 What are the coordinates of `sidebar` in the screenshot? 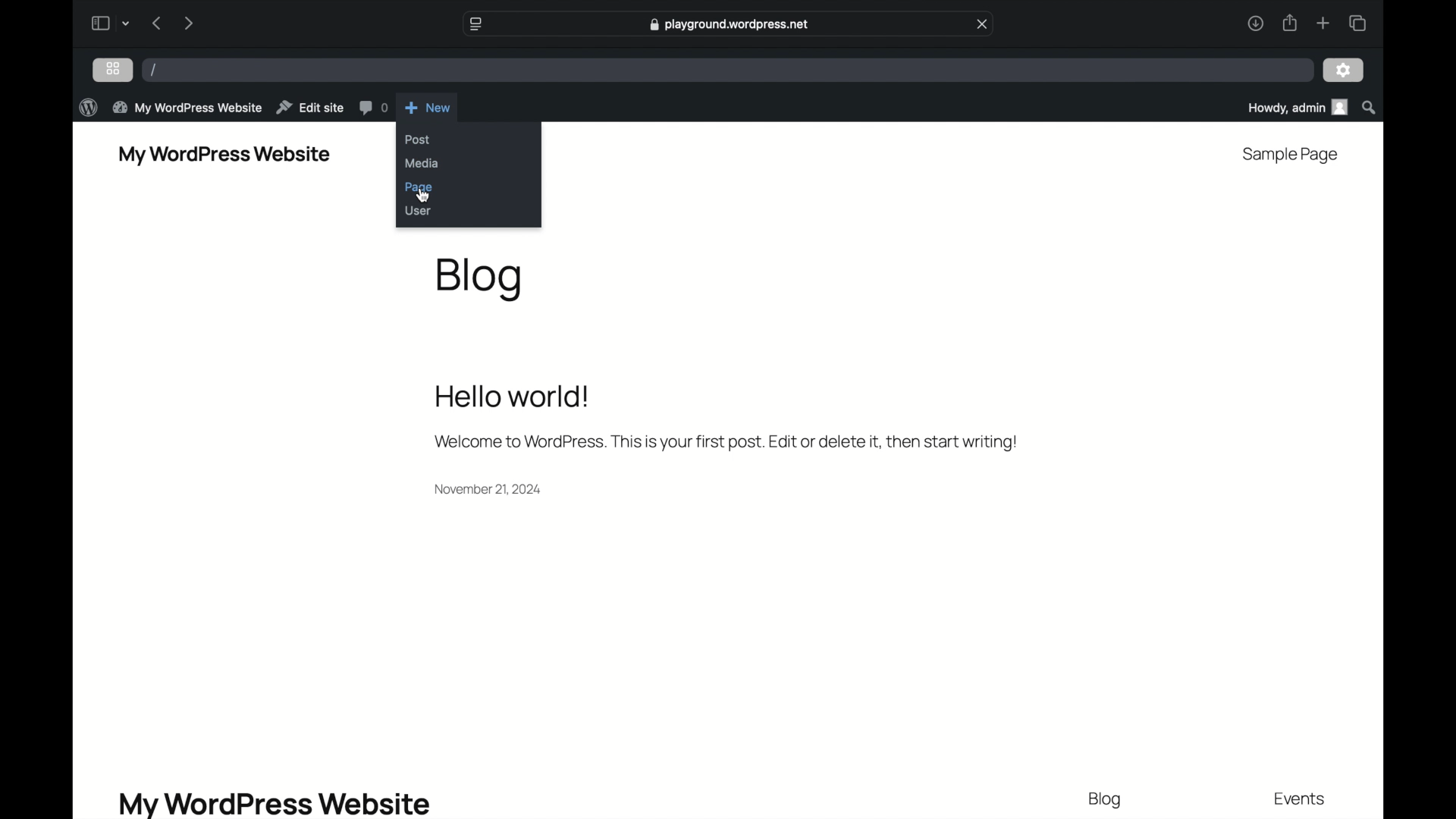 It's located at (99, 23).